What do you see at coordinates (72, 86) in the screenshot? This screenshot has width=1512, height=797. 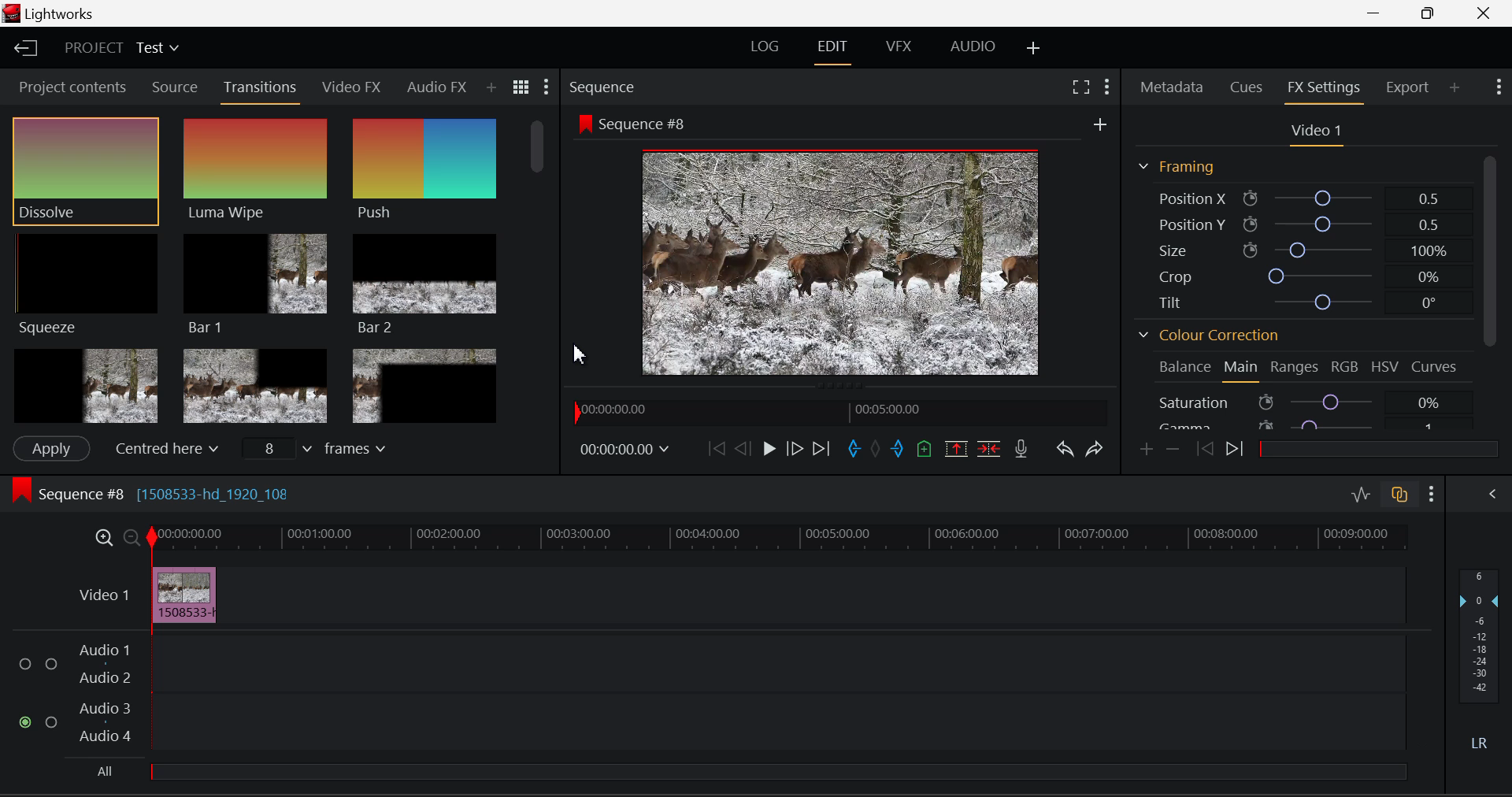 I see `Project contents` at bounding box center [72, 86].